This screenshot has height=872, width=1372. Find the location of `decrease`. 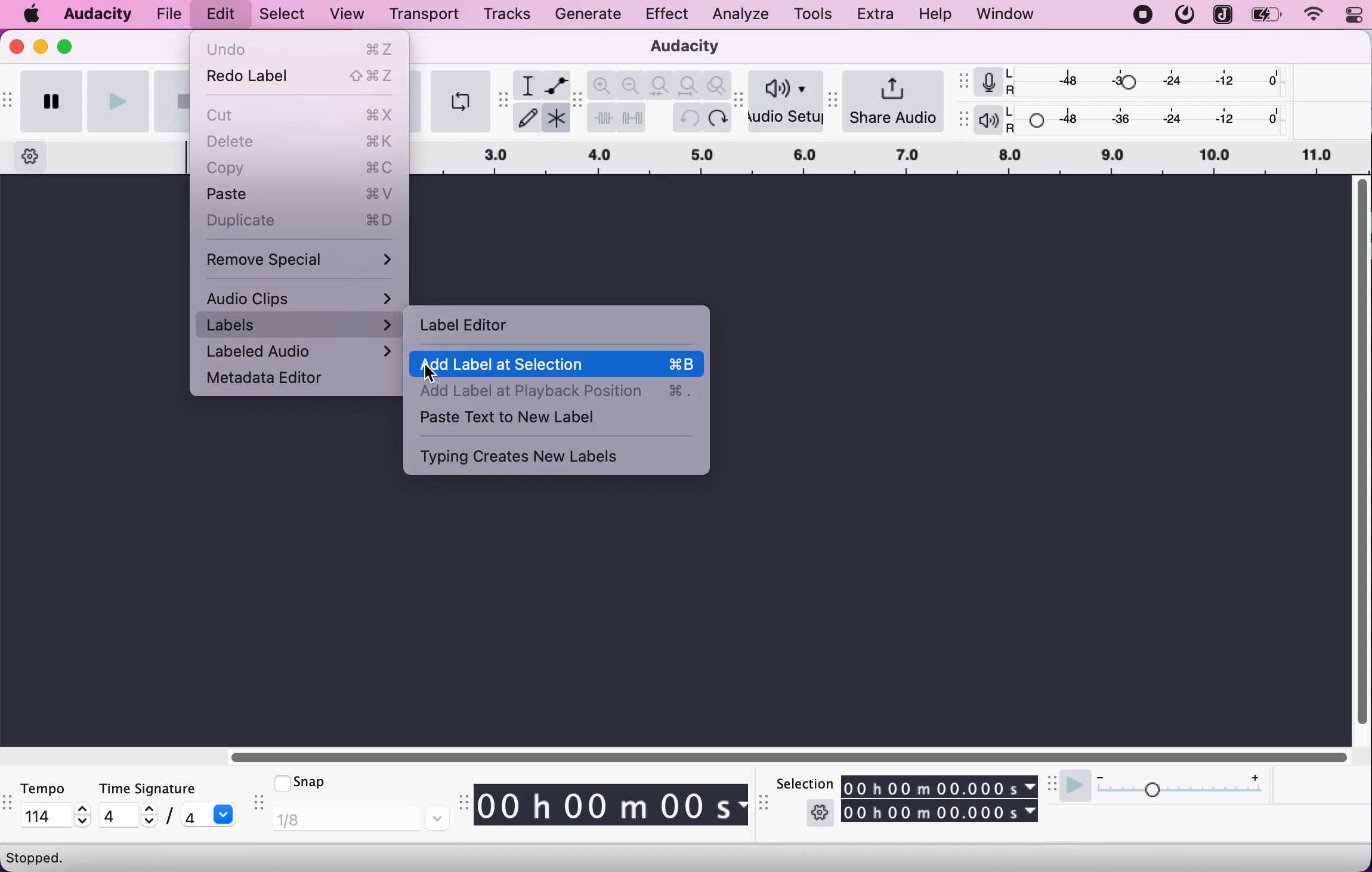

decrease is located at coordinates (147, 823).